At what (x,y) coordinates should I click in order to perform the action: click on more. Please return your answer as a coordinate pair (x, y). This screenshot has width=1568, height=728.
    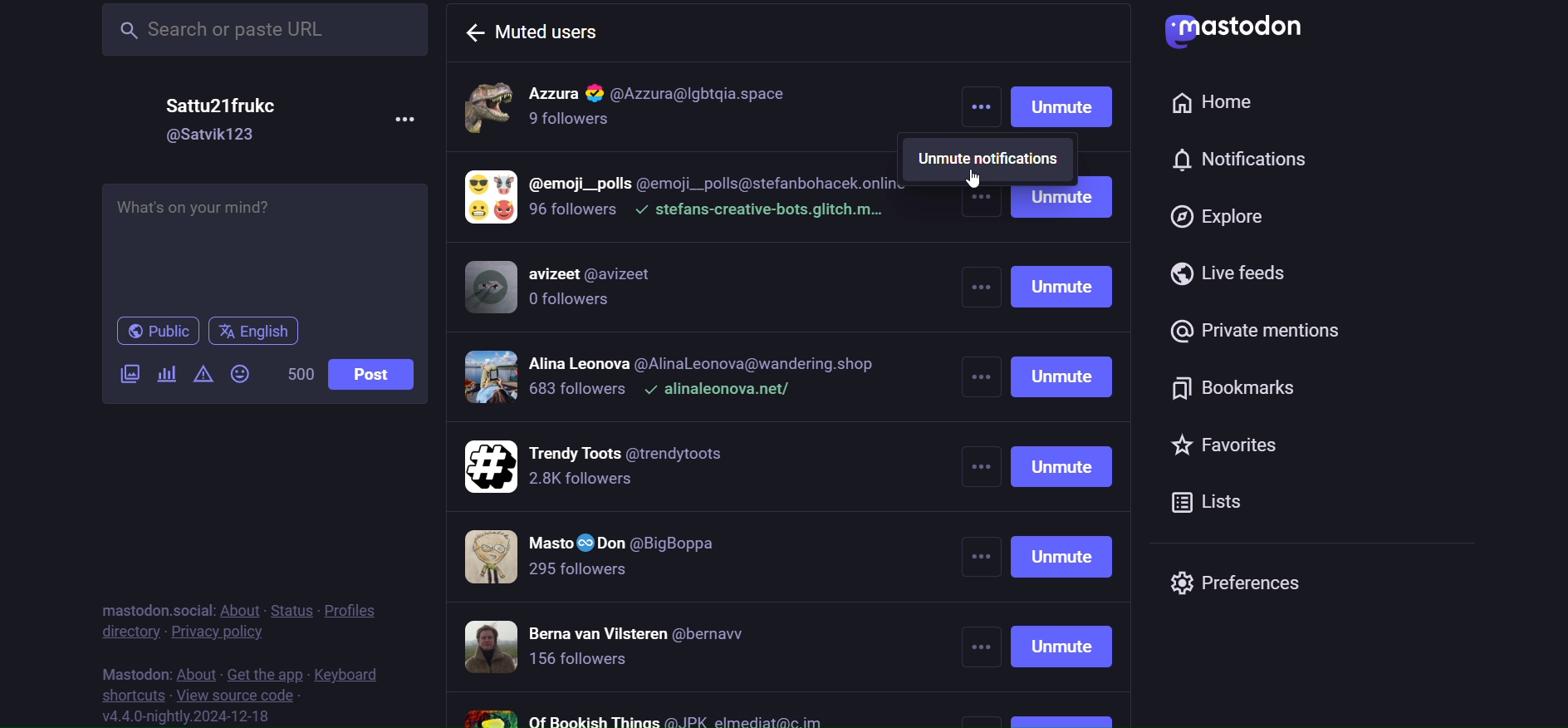
    Looking at the image, I should click on (419, 114).